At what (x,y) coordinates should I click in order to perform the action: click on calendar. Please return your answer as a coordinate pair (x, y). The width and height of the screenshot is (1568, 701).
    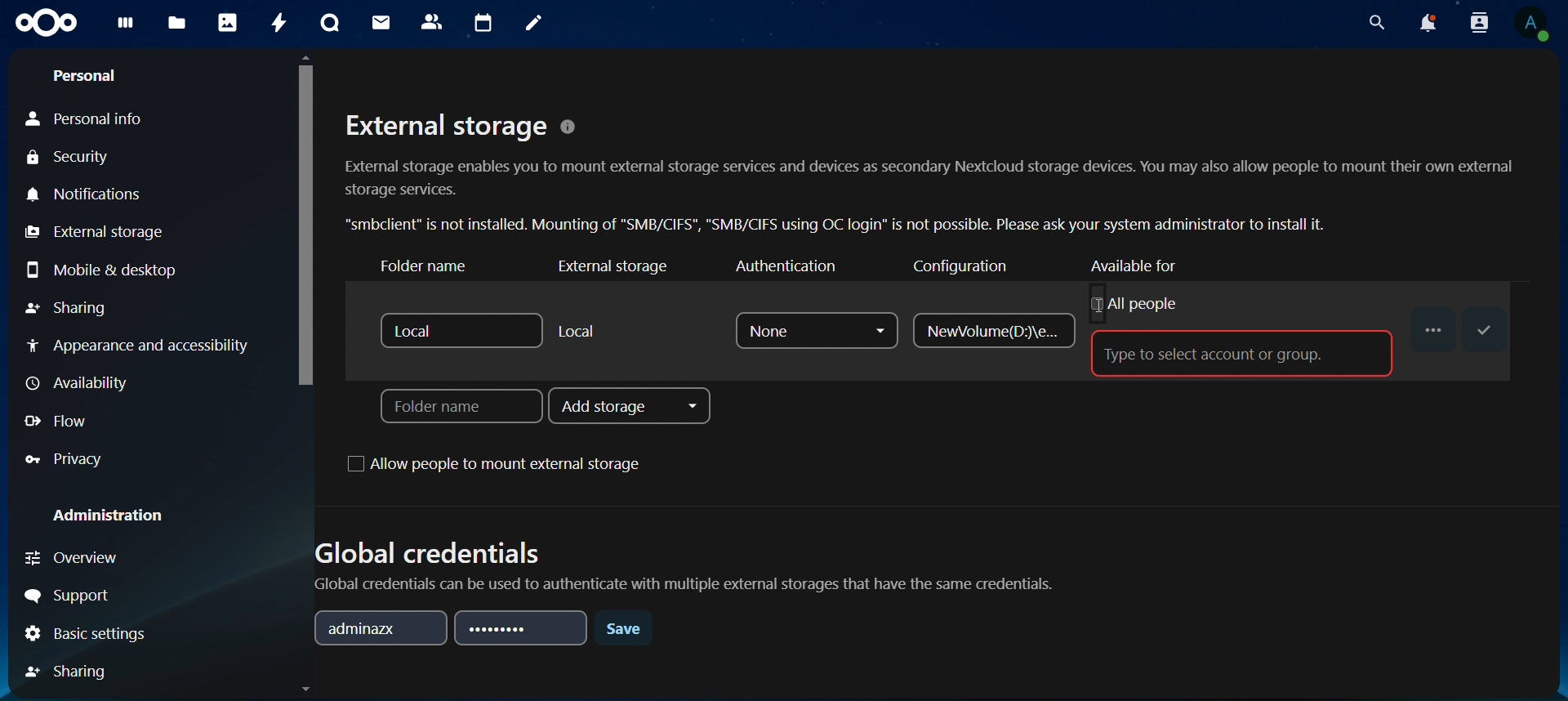
    Looking at the image, I should click on (484, 21).